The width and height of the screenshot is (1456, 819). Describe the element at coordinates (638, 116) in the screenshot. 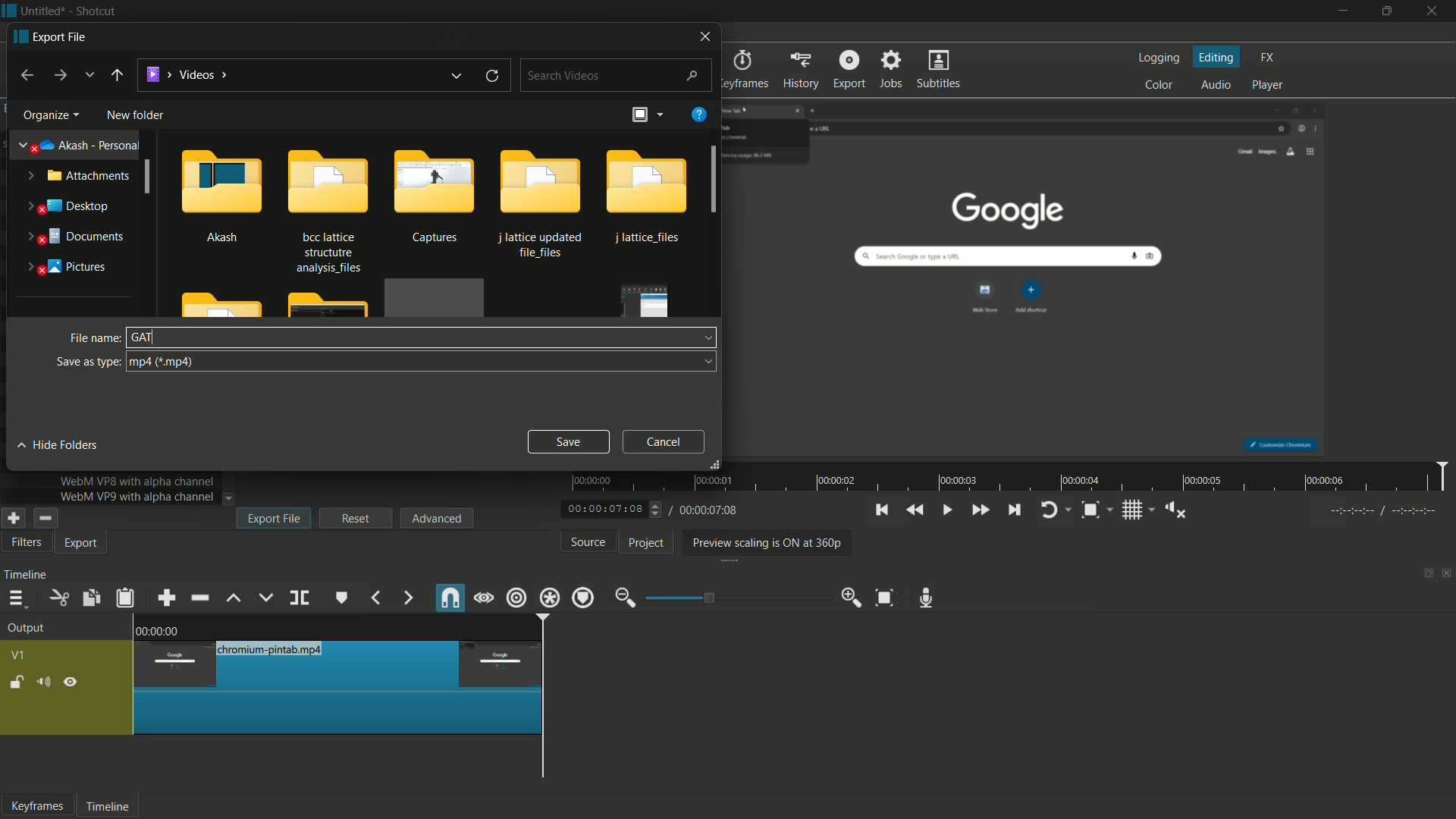

I see `change layout` at that location.